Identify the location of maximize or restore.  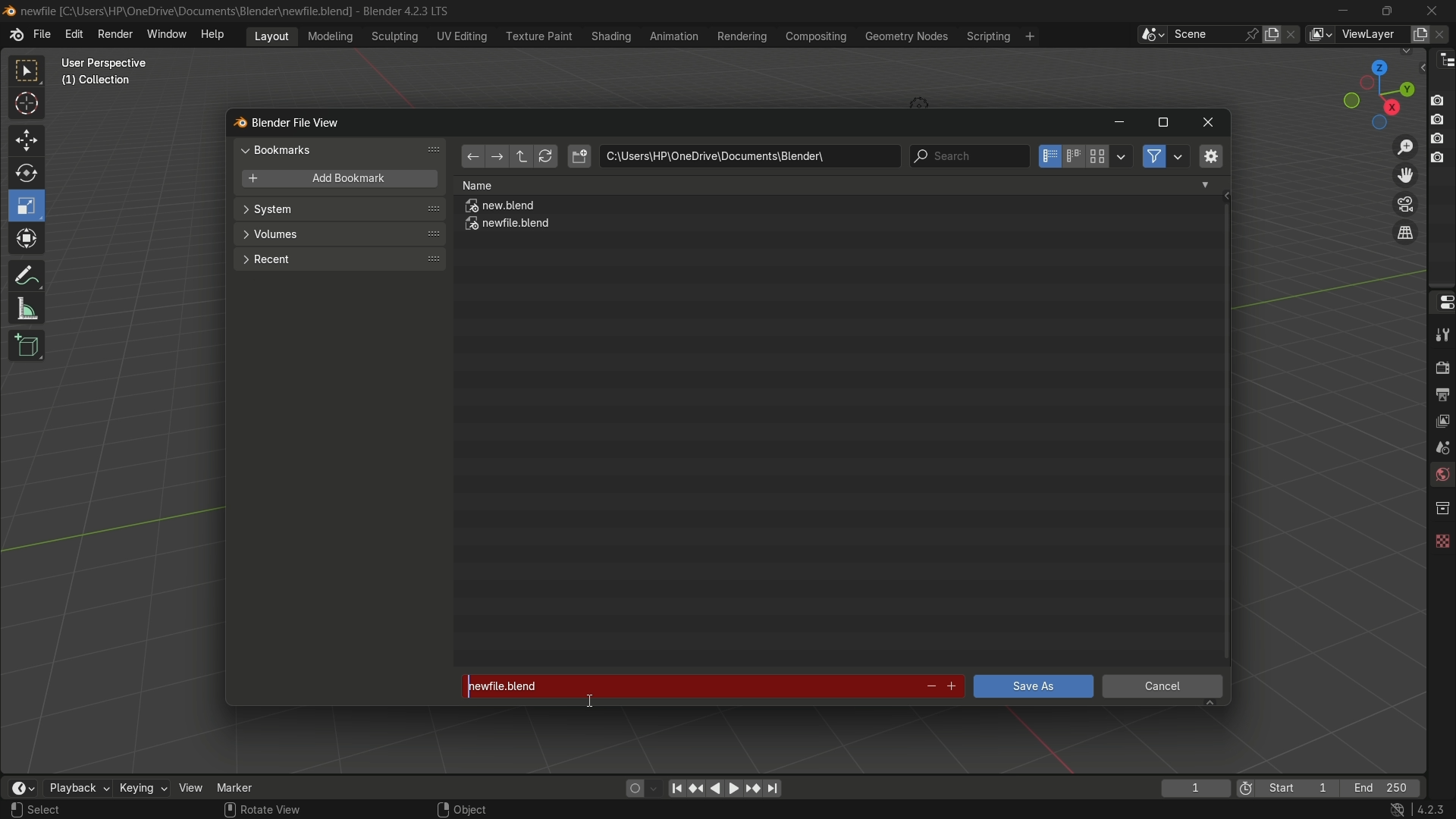
(1386, 10).